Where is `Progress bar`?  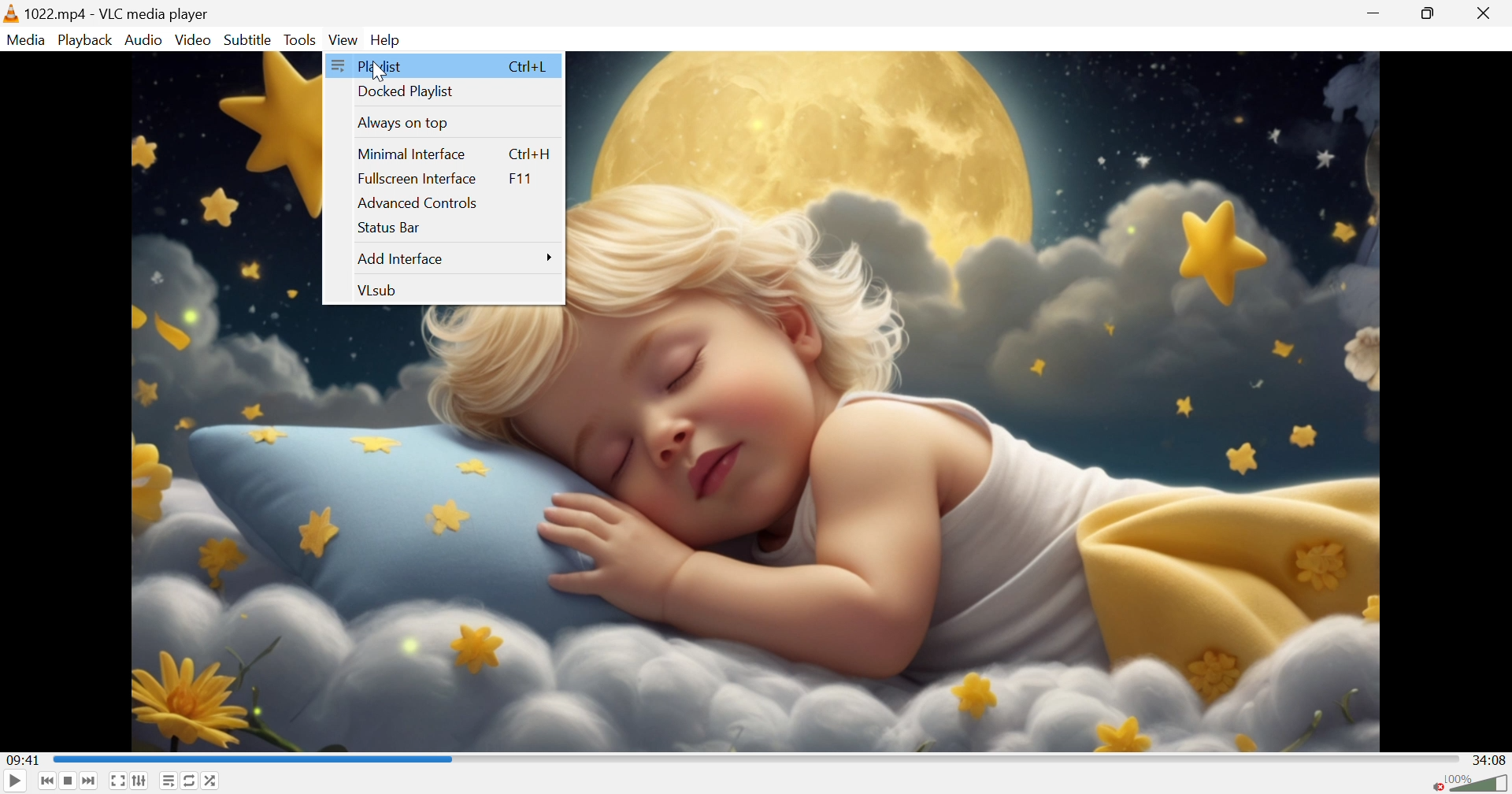
Progress bar is located at coordinates (758, 762).